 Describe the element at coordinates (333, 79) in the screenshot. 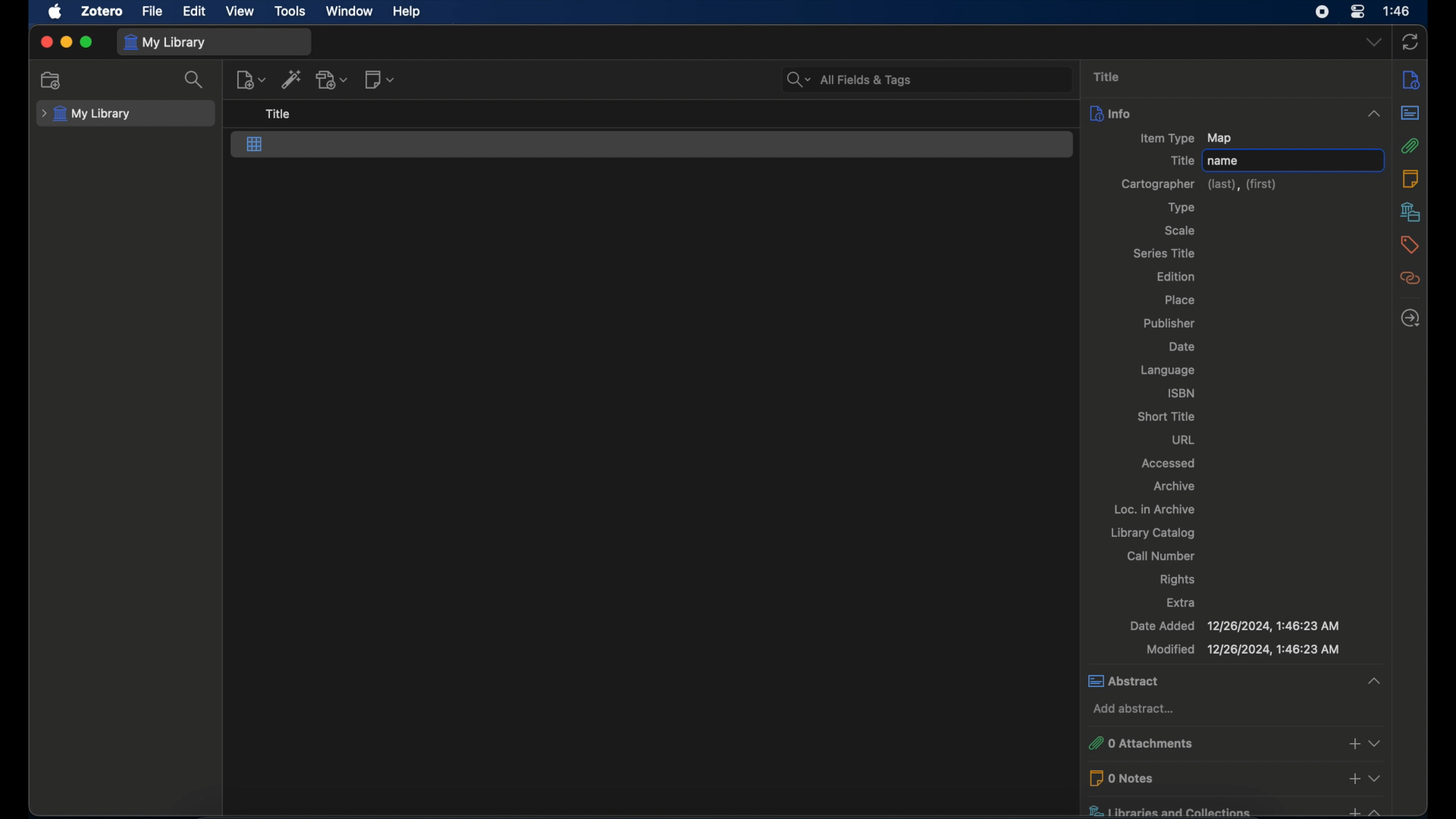

I see `add attachment` at that location.